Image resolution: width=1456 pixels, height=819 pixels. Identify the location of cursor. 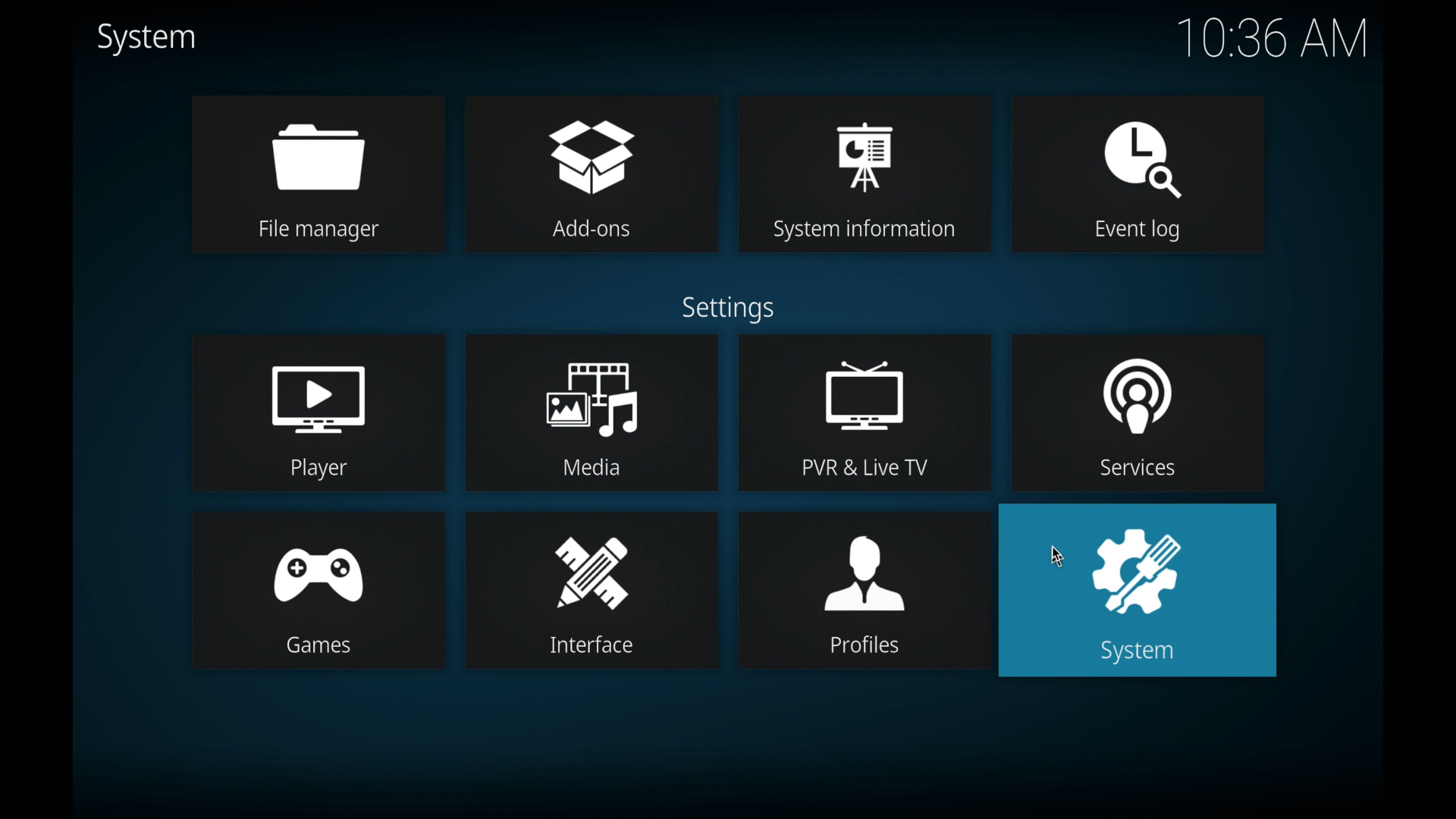
(1057, 557).